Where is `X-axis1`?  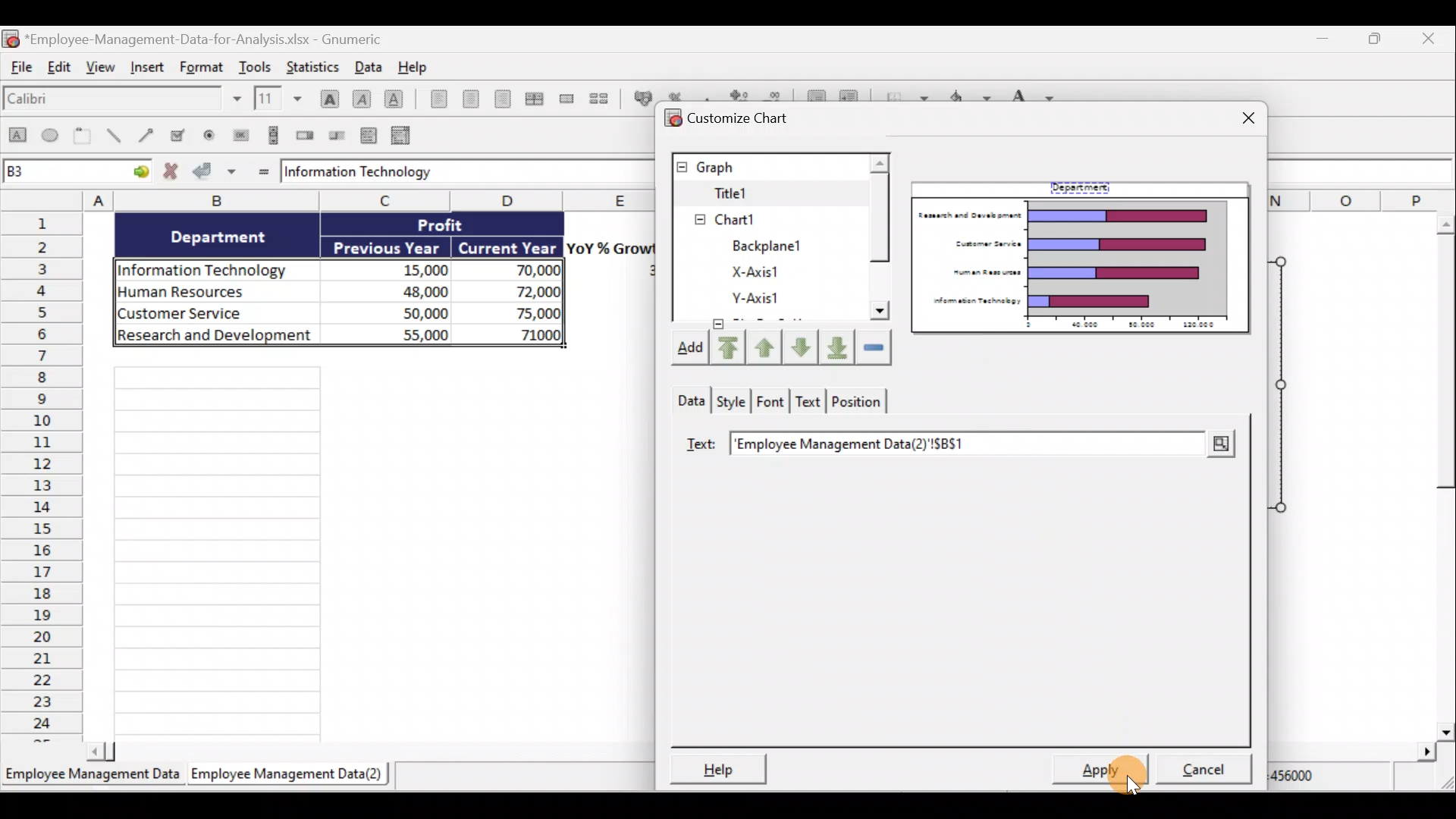
X-axis1 is located at coordinates (759, 245).